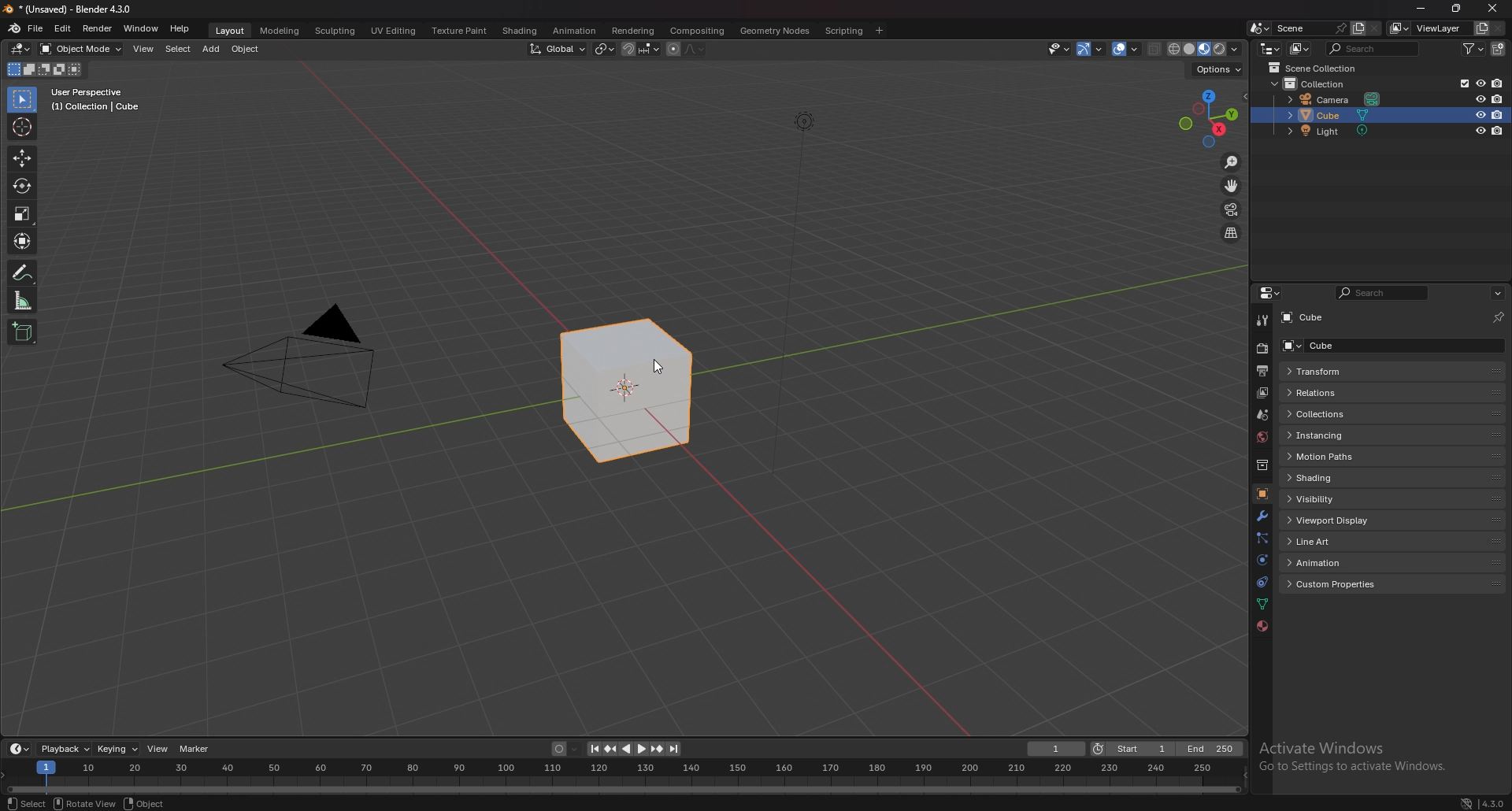  What do you see at coordinates (1262, 350) in the screenshot?
I see `render` at bounding box center [1262, 350].